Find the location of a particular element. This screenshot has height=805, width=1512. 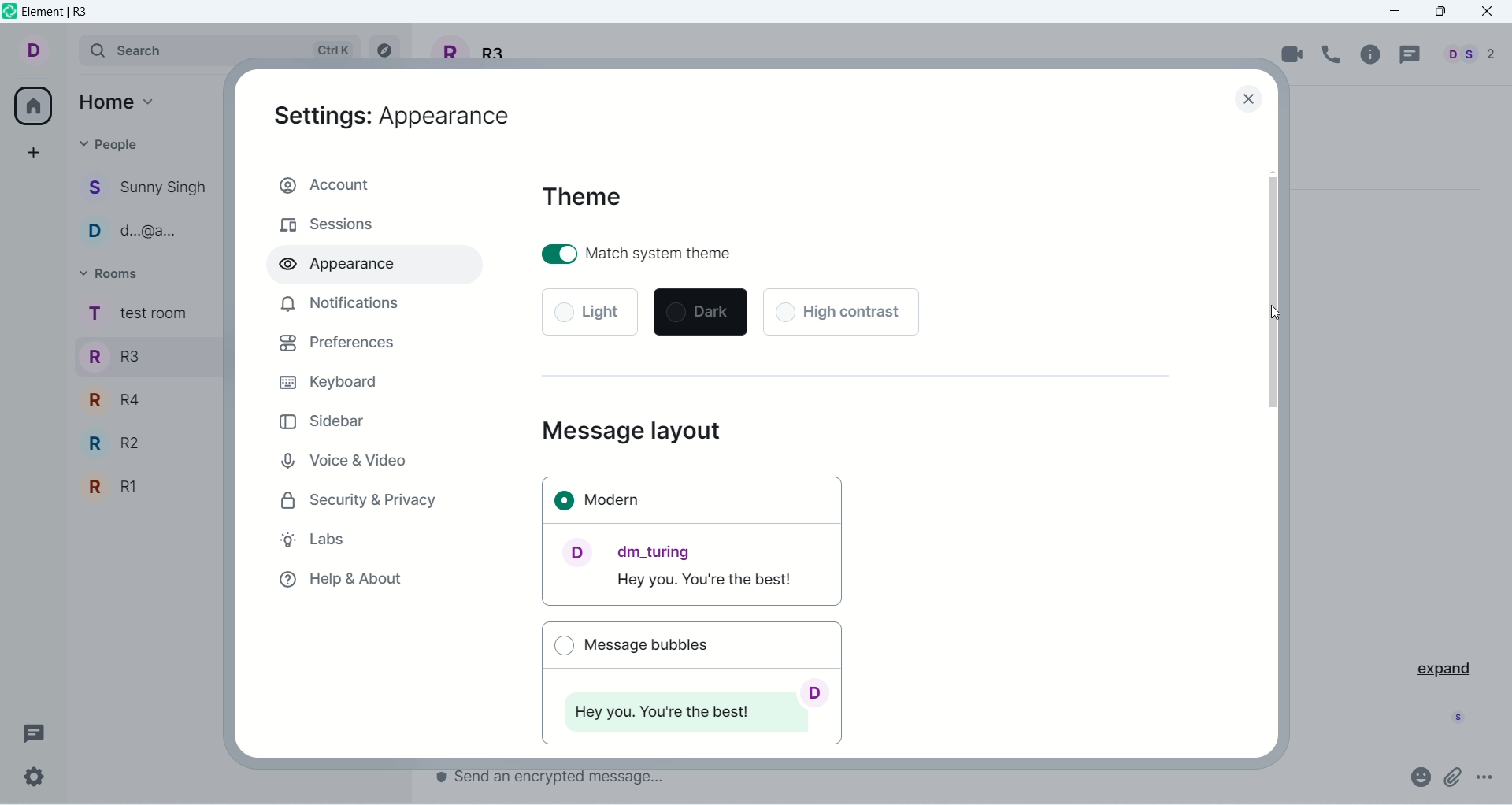

settings is located at coordinates (35, 777).